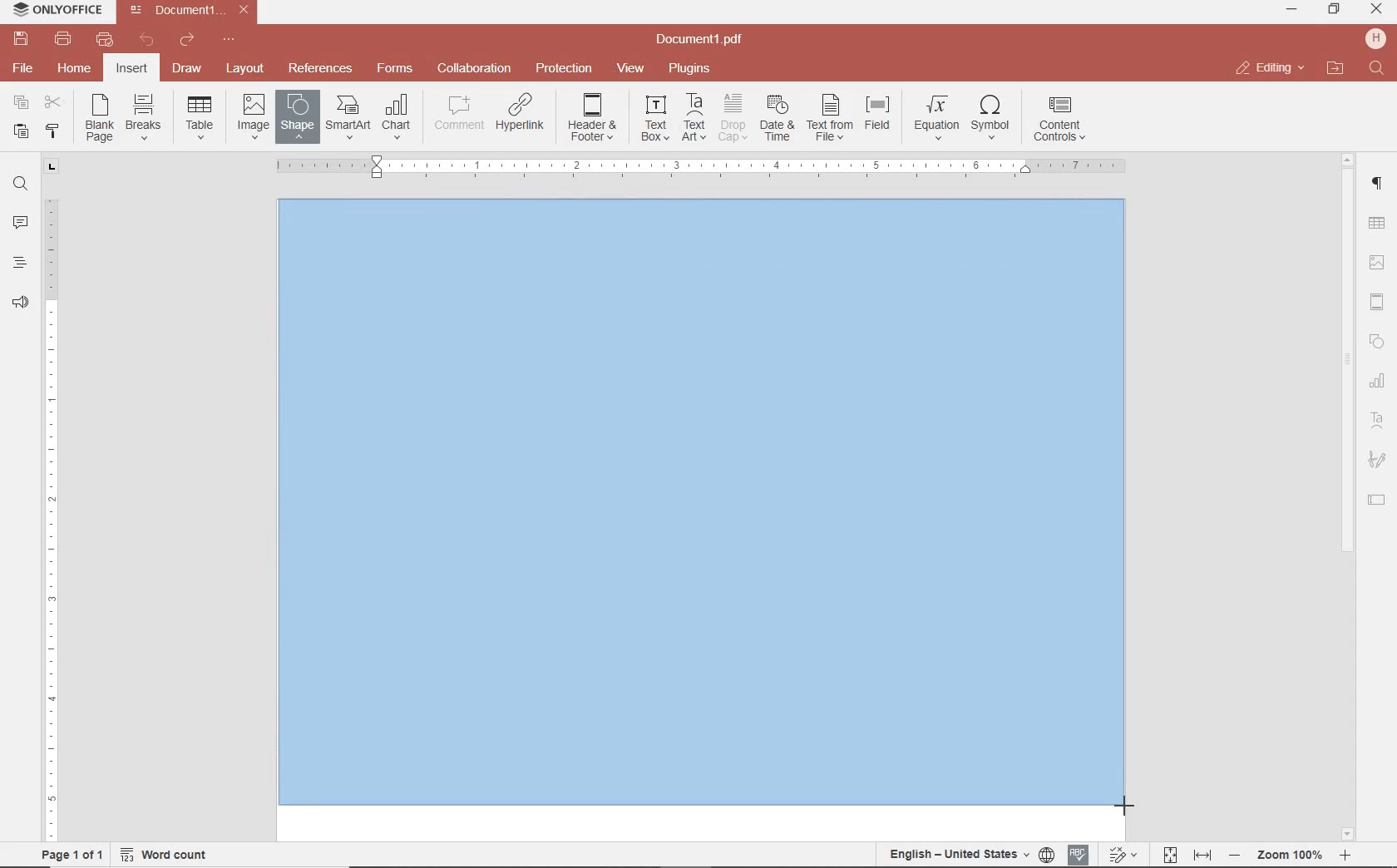 This screenshot has width=1397, height=868. What do you see at coordinates (733, 118) in the screenshot?
I see `DROP CAP` at bounding box center [733, 118].